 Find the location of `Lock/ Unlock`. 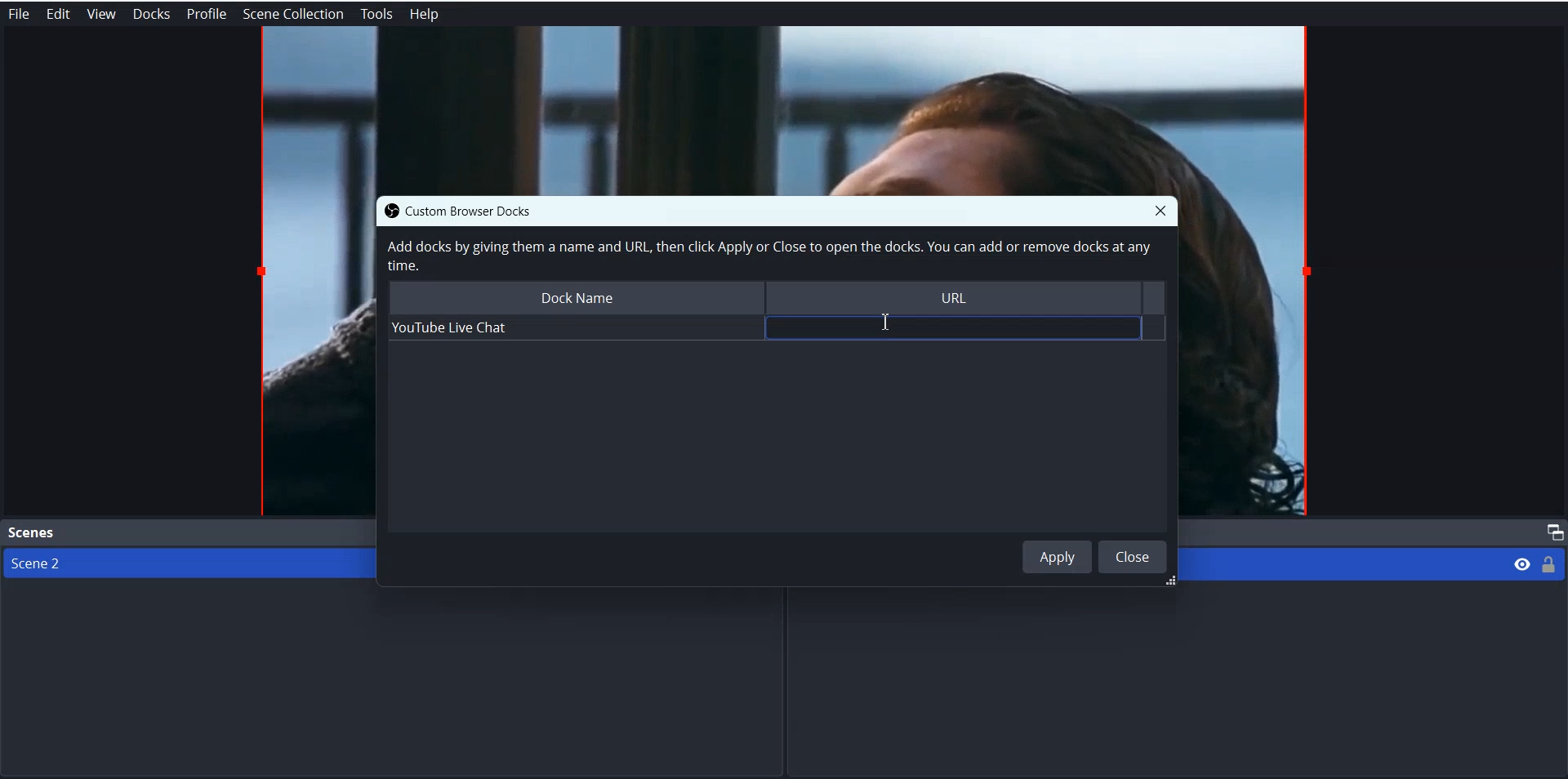

Lock/ Unlock is located at coordinates (1549, 563).